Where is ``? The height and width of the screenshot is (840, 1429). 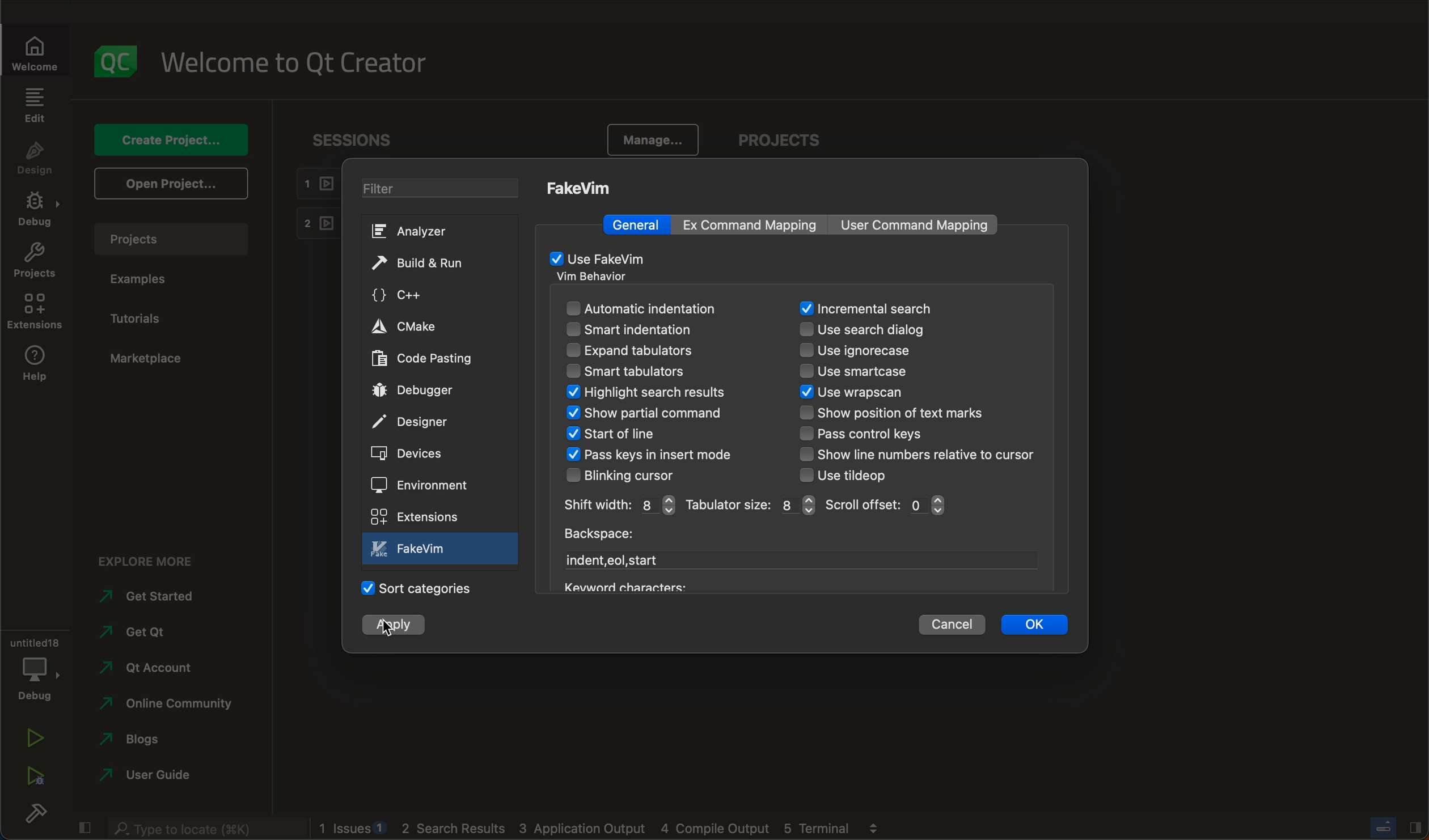
 is located at coordinates (635, 588).